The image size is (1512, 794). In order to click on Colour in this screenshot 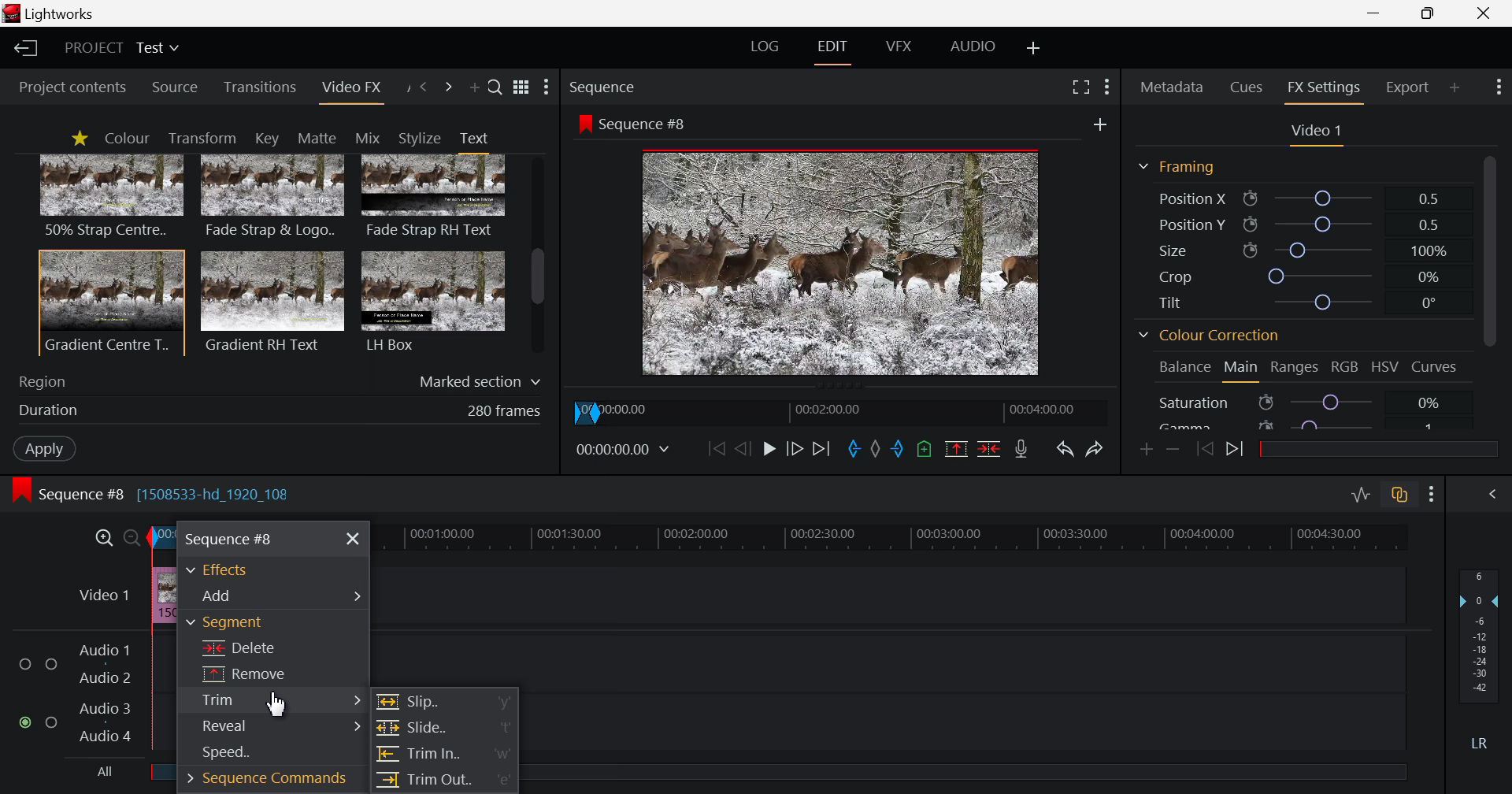, I will do `click(126, 139)`.